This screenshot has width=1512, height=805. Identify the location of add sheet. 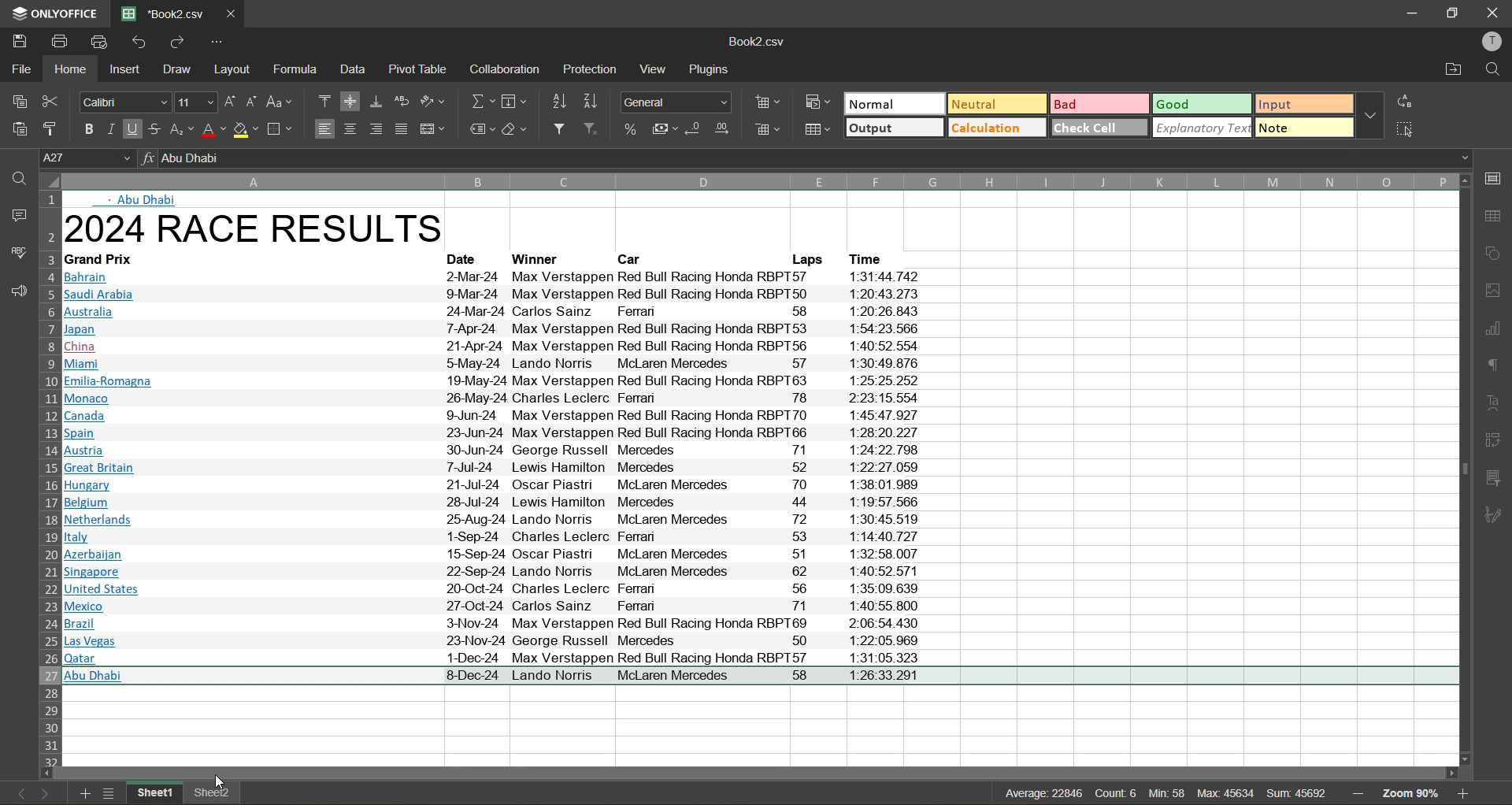
(86, 794).